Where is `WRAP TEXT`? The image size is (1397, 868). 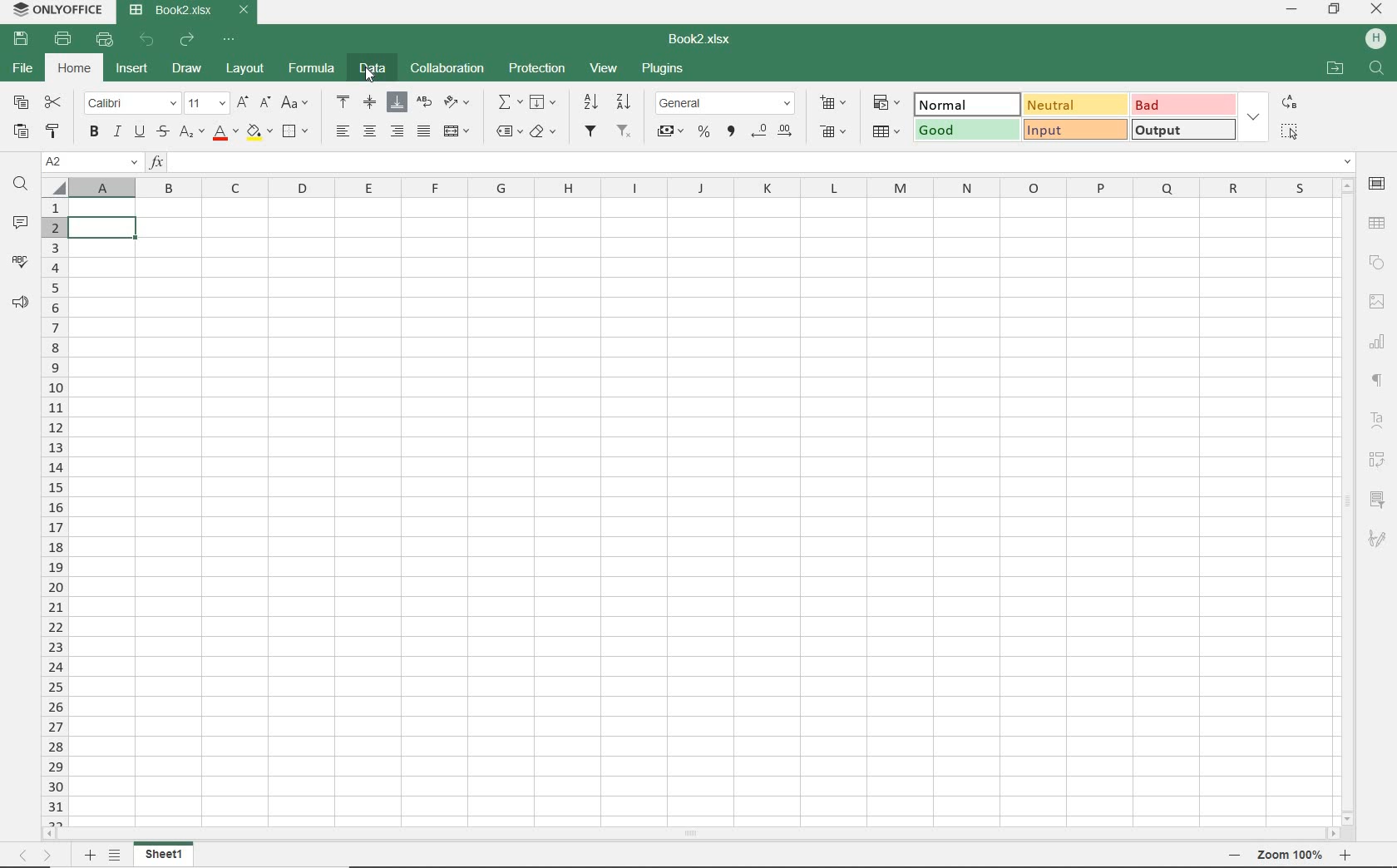
WRAP TEXT is located at coordinates (426, 101).